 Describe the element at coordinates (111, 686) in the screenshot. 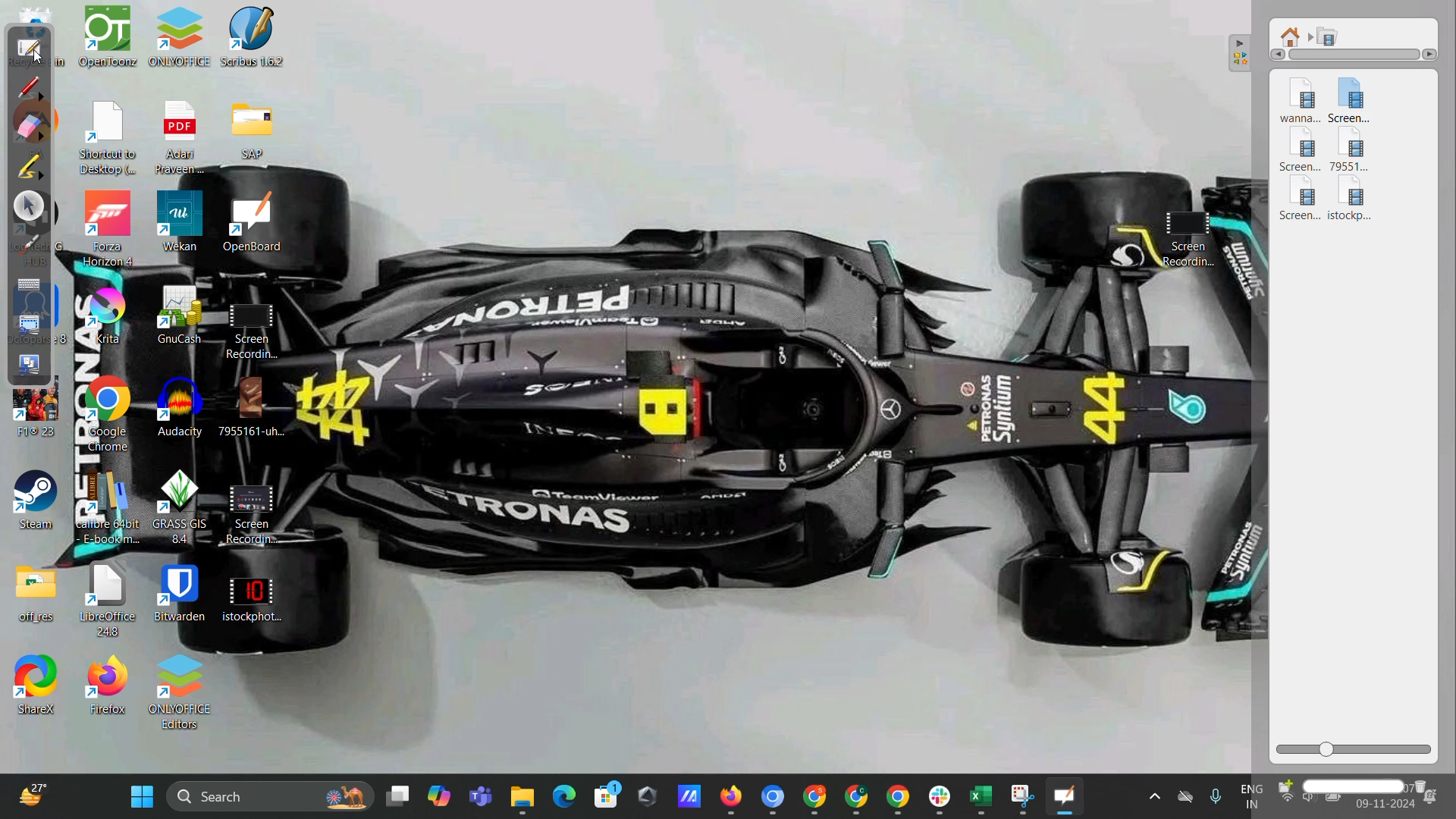

I see `Firefox` at that location.